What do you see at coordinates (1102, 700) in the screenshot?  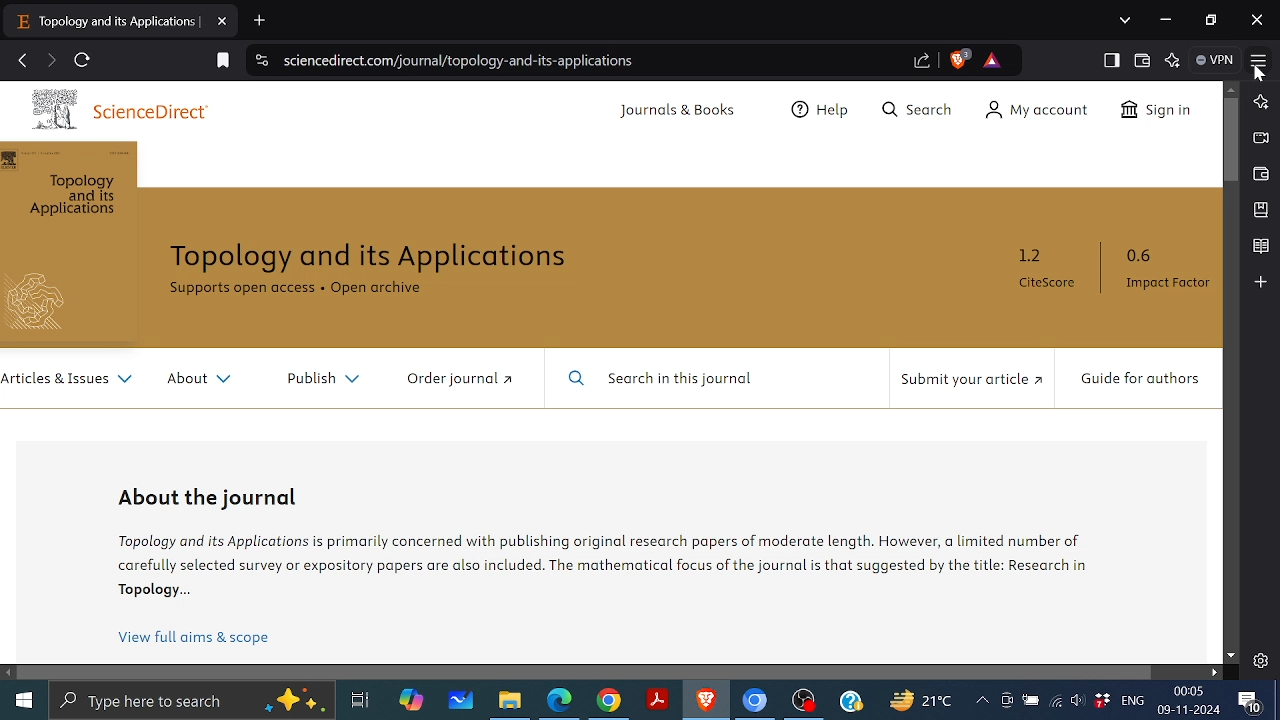 I see `Dropbox` at bounding box center [1102, 700].